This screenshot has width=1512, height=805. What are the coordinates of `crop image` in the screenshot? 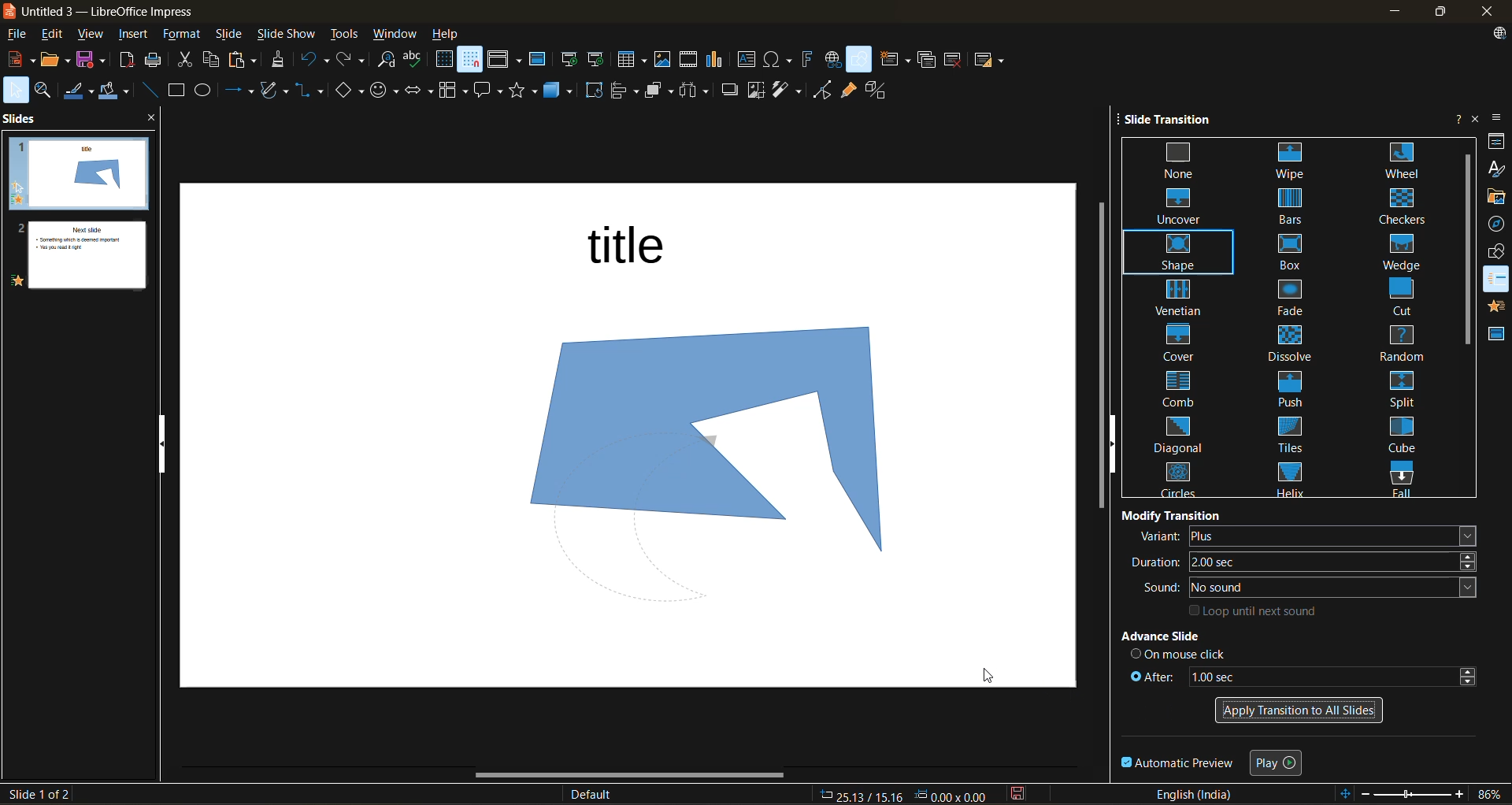 It's located at (755, 90).